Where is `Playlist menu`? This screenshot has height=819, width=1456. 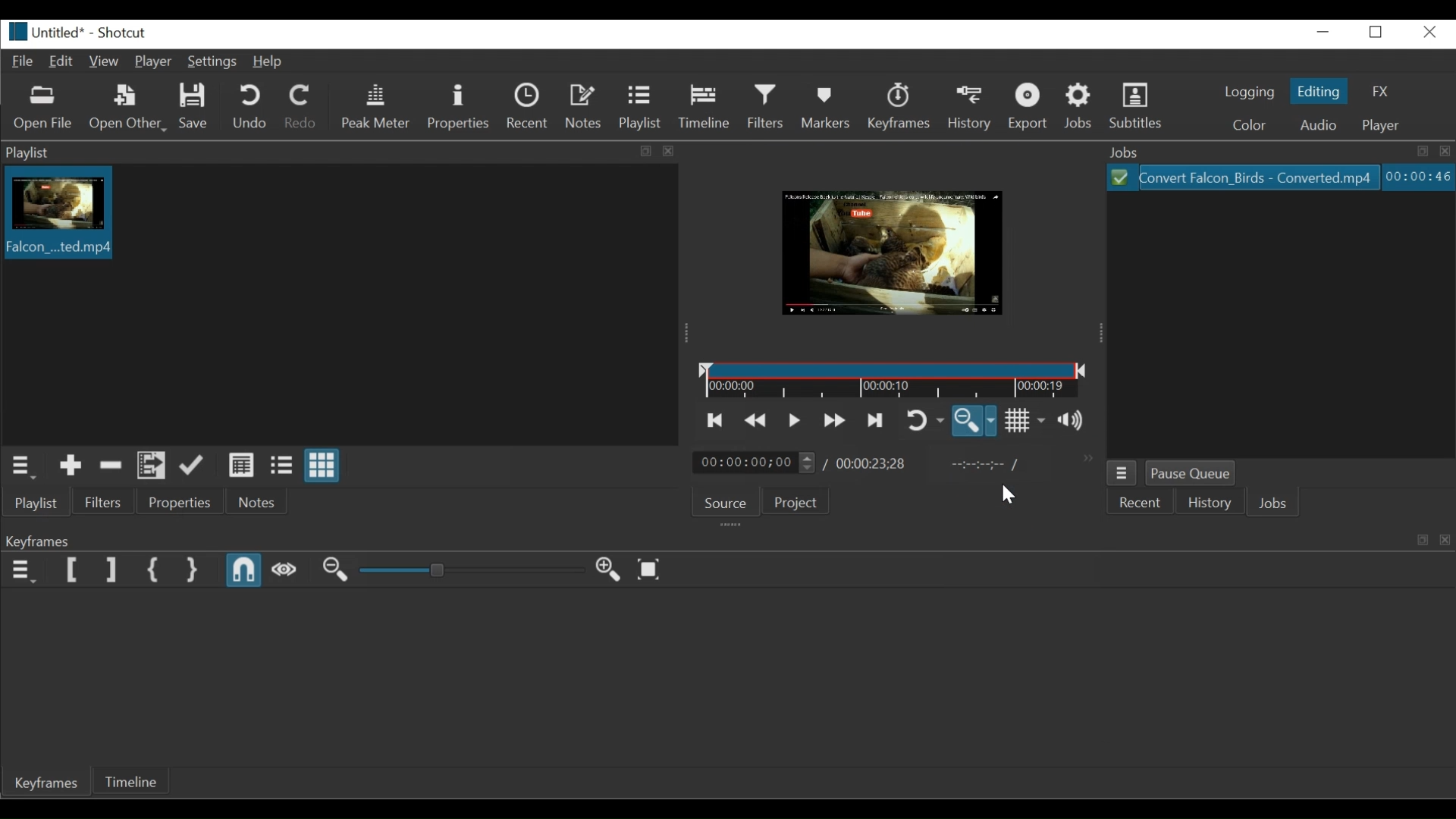
Playlist menu is located at coordinates (24, 468).